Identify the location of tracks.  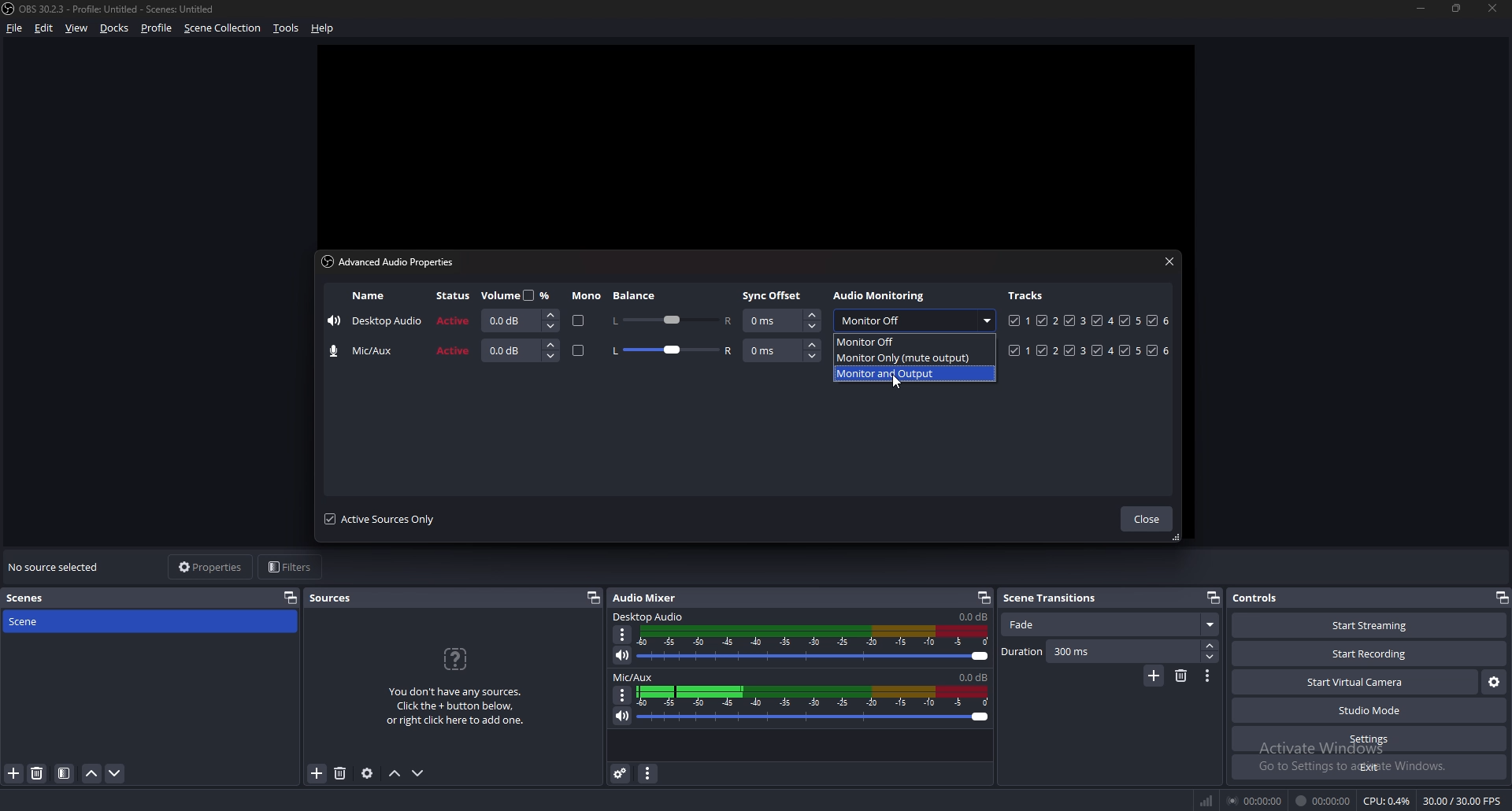
(1091, 350).